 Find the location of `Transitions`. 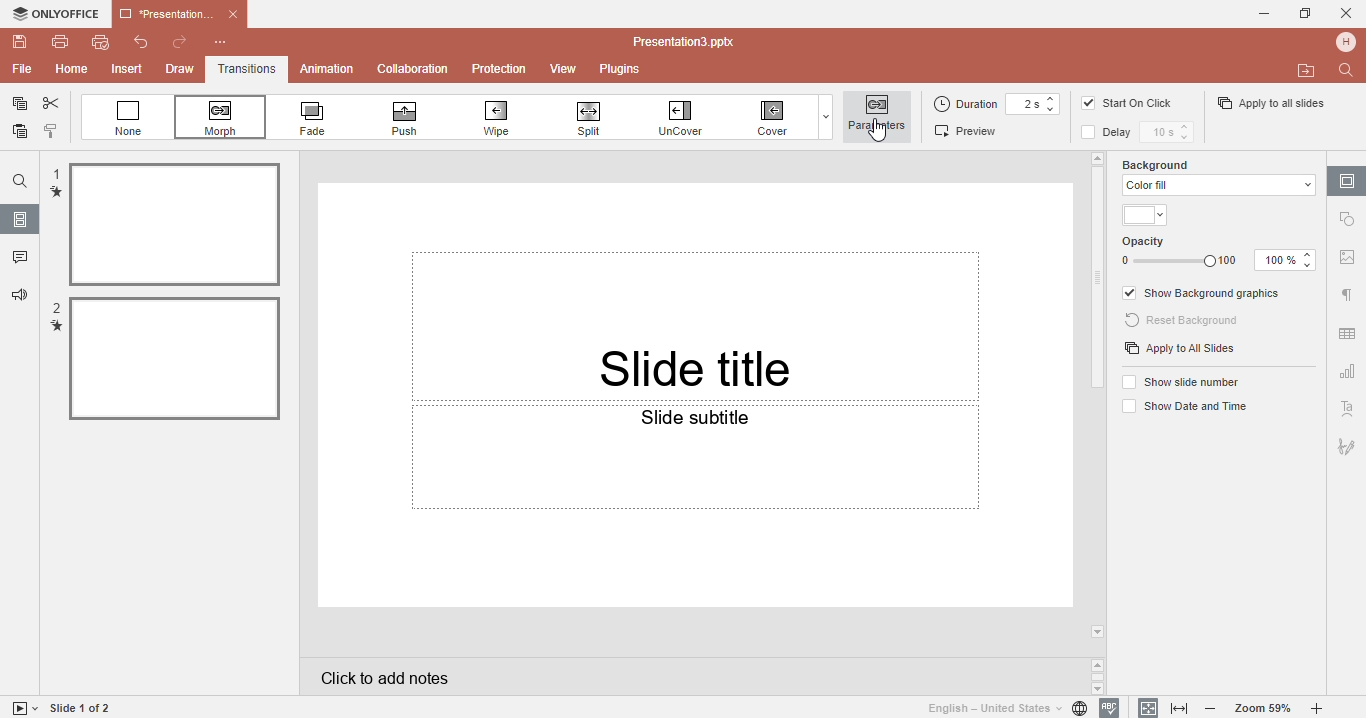

Transitions is located at coordinates (247, 70).